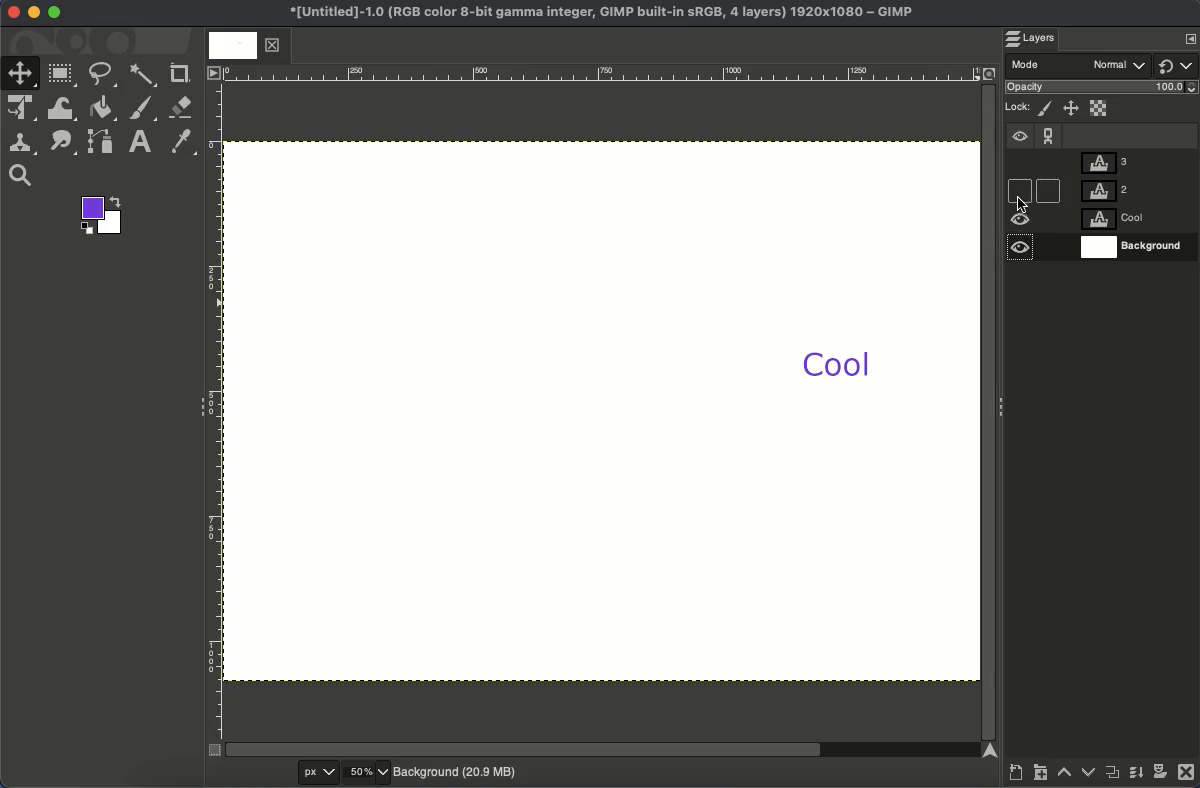 The height and width of the screenshot is (788, 1200). What do you see at coordinates (11, 13) in the screenshot?
I see `Close` at bounding box center [11, 13].